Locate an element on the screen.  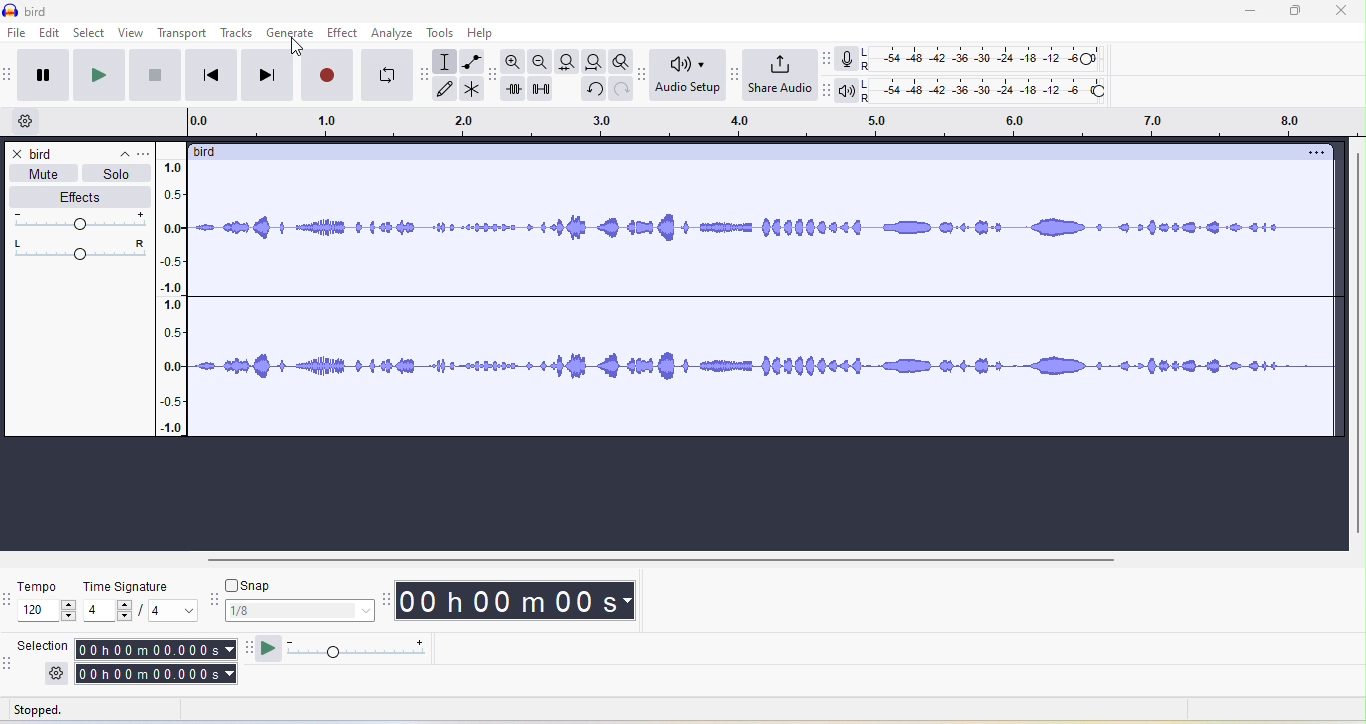
zoom toggle  is located at coordinates (616, 59).